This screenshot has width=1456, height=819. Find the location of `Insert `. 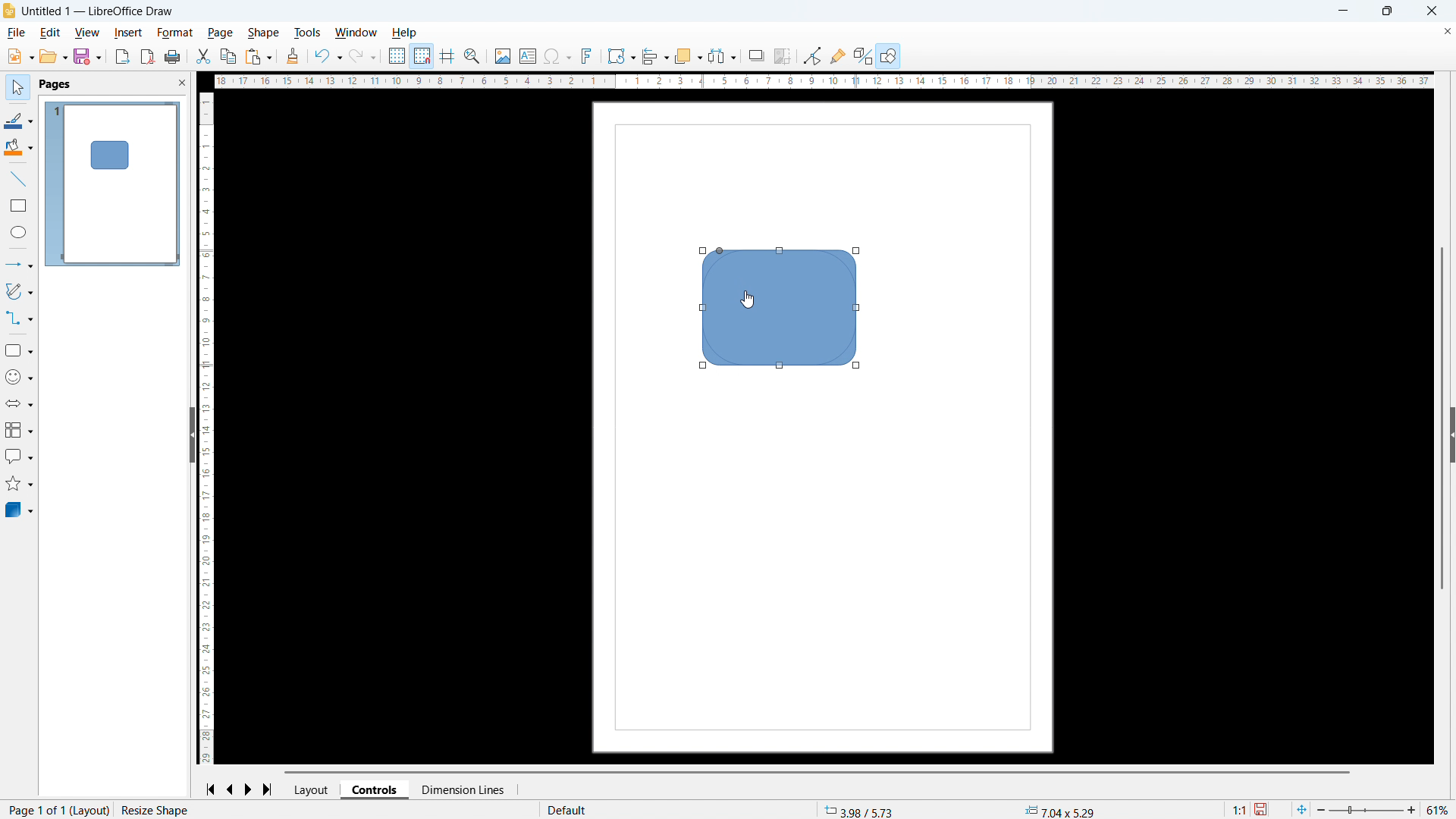

Insert  is located at coordinates (128, 33).